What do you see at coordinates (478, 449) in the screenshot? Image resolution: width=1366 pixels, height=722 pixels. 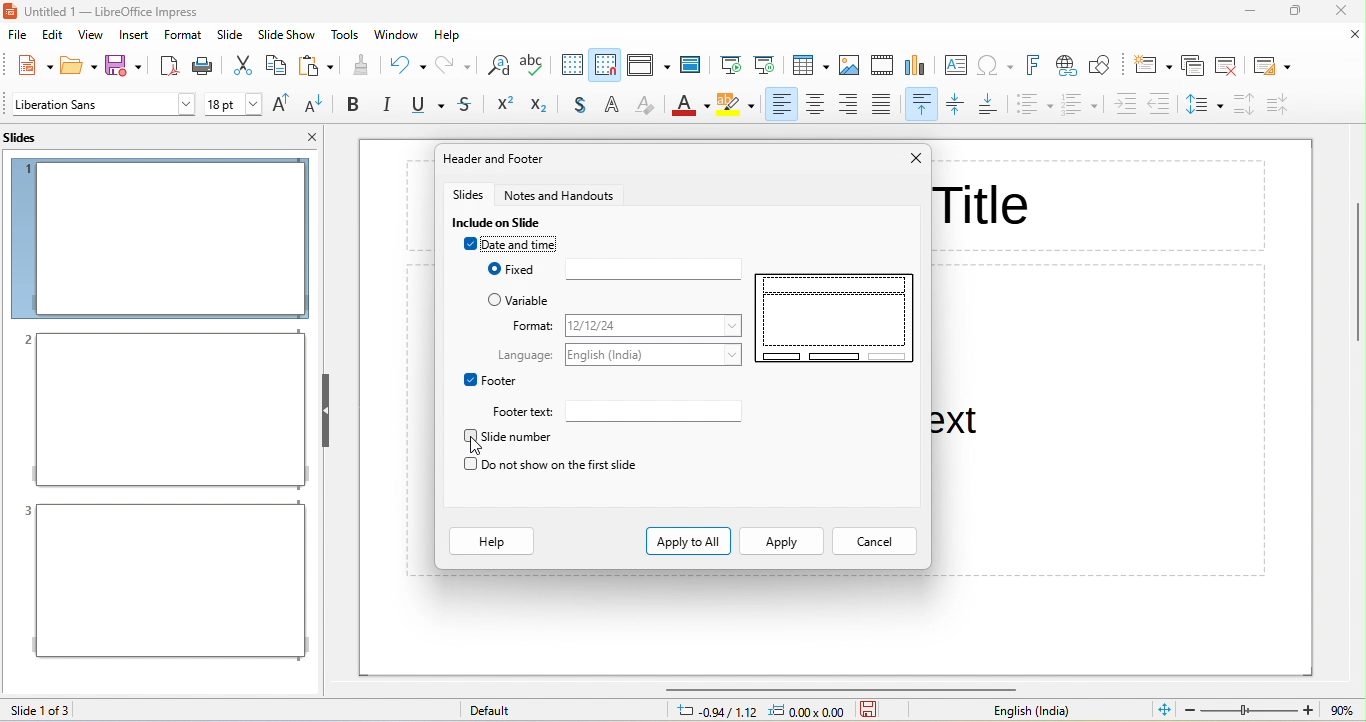 I see `cursor movement` at bounding box center [478, 449].